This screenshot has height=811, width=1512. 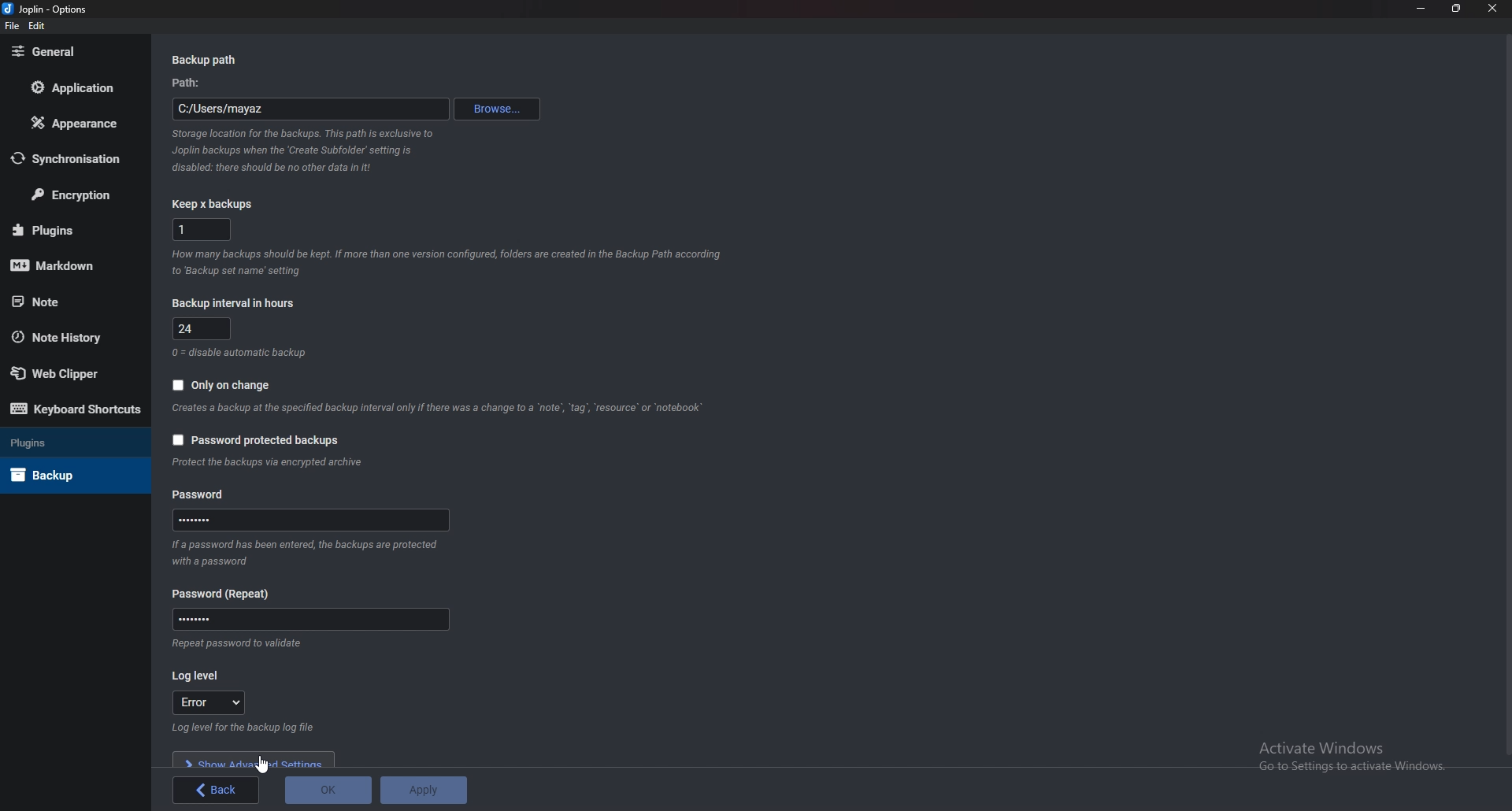 What do you see at coordinates (448, 261) in the screenshot?
I see `Info on backup numbers` at bounding box center [448, 261].